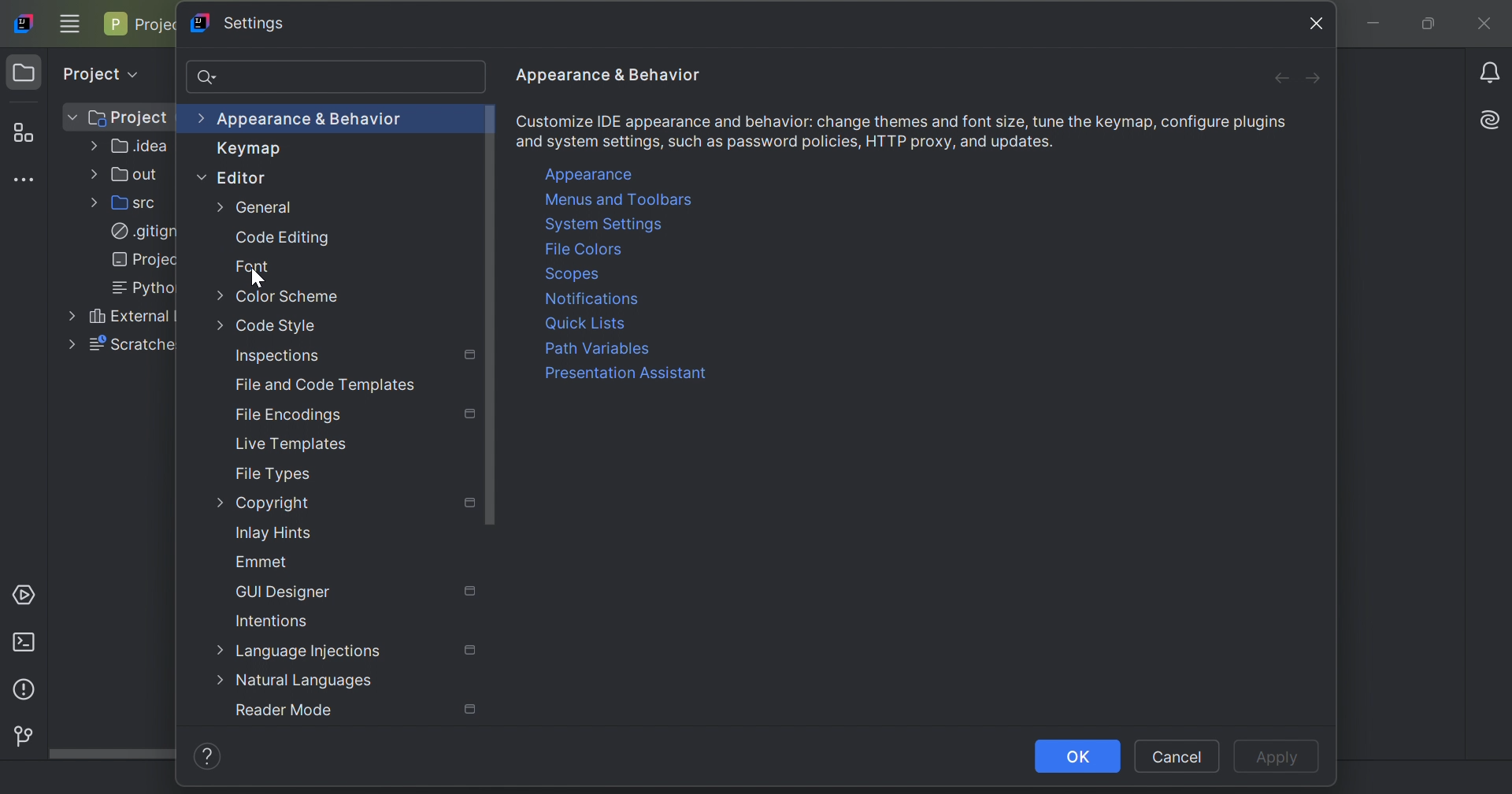  What do you see at coordinates (604, 76) in the screenshot?
I see `Appearance & Behavior` at bounding box center [604, 76].